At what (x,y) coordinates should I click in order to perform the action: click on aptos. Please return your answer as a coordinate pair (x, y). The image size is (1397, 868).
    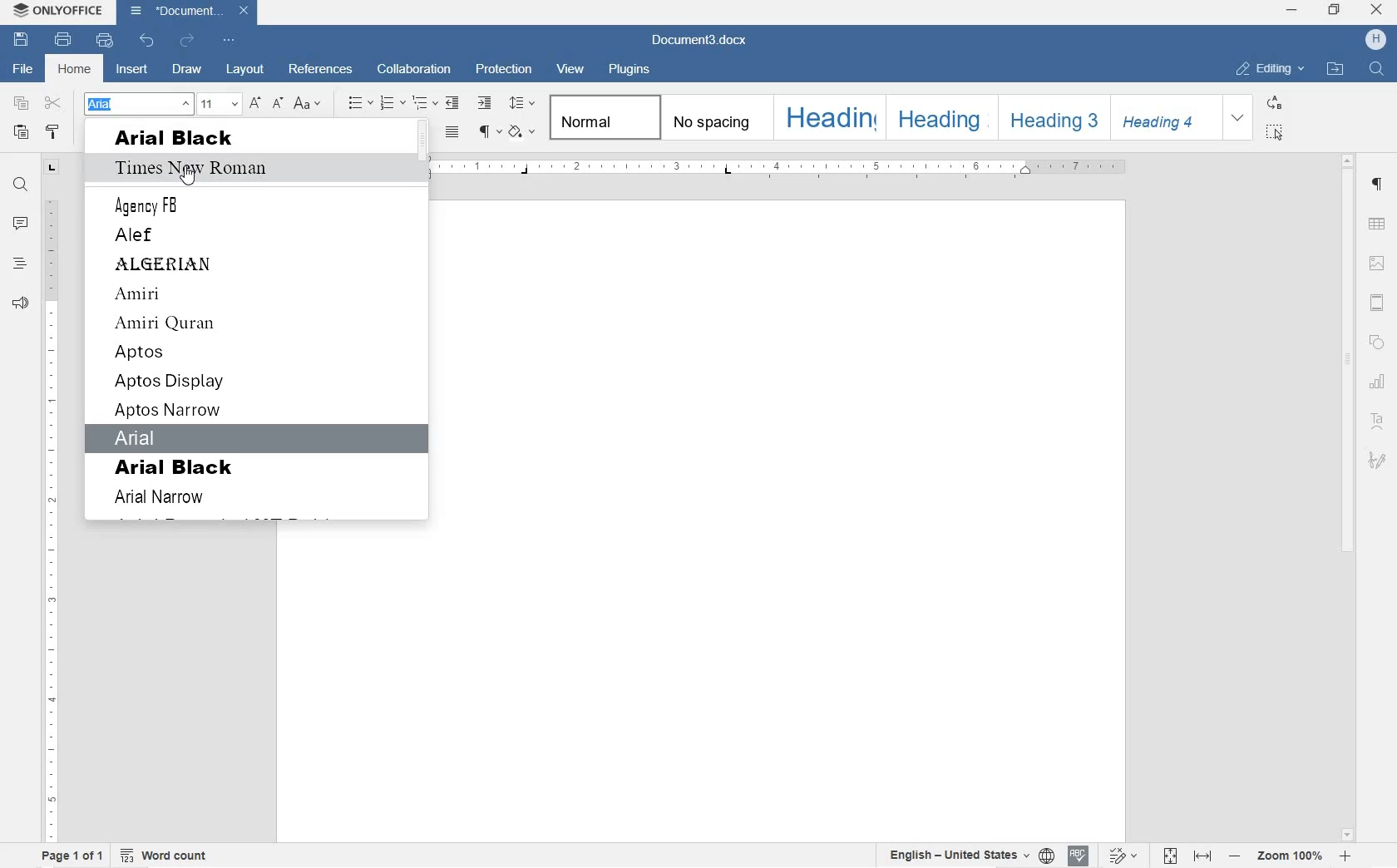
    Looking at the image, I should click on (158, 353).